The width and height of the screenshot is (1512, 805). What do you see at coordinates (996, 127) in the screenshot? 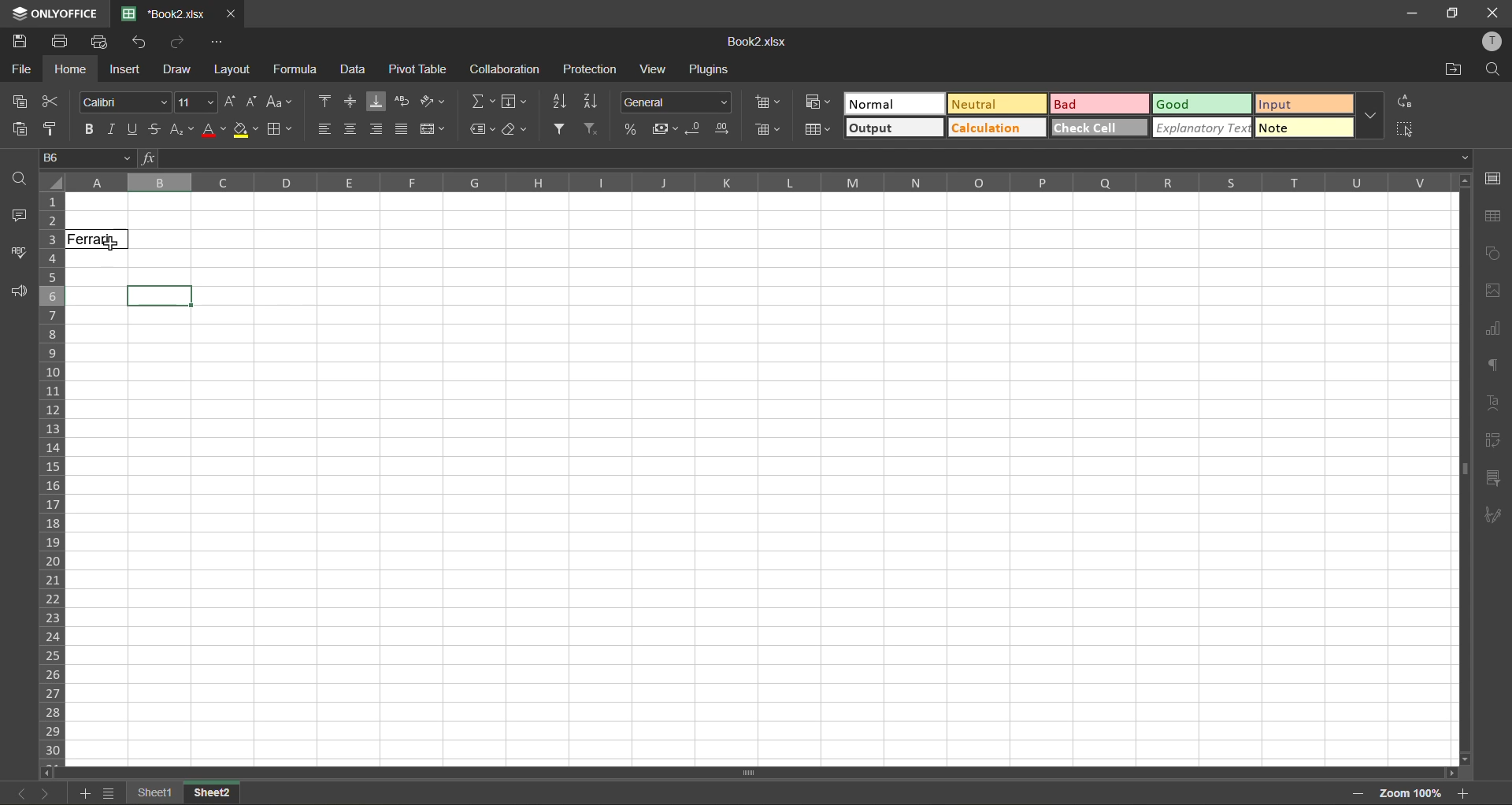
I see `calculation` at bounding box center [996, 127].